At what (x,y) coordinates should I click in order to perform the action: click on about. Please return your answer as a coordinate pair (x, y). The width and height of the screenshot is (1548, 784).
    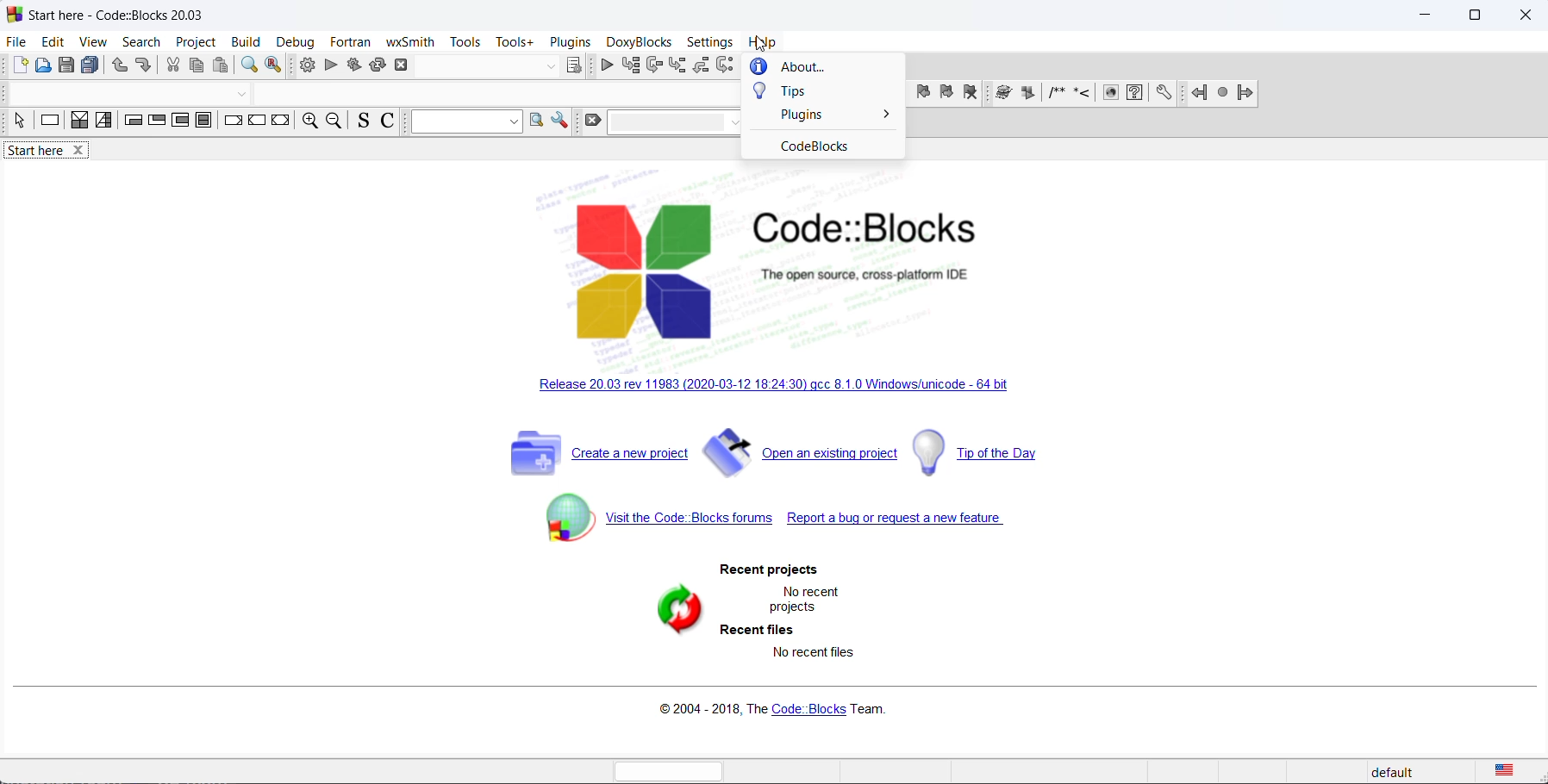
    Looking at the image, I should click on (821, 69).